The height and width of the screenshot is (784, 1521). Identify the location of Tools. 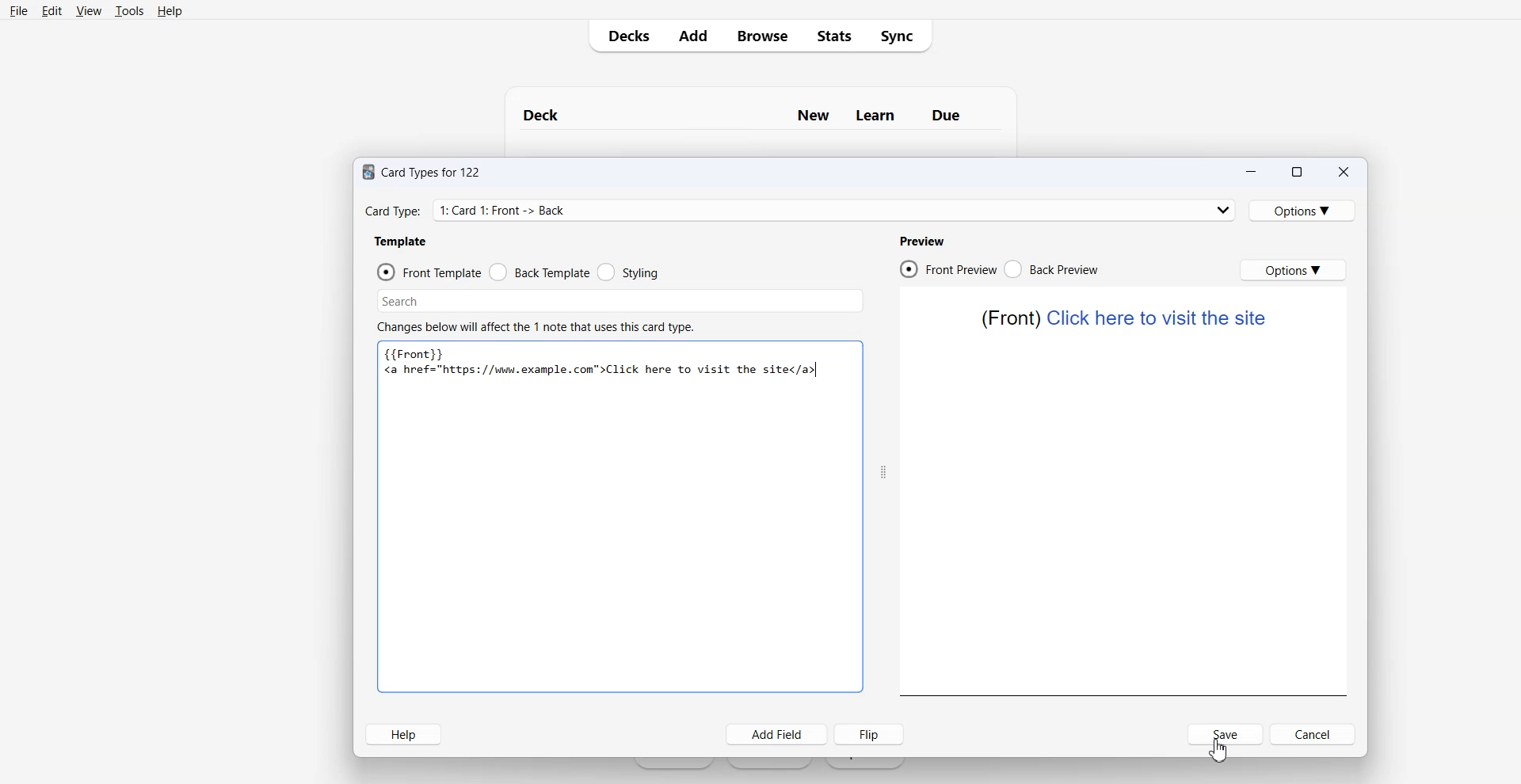
(130, 10).